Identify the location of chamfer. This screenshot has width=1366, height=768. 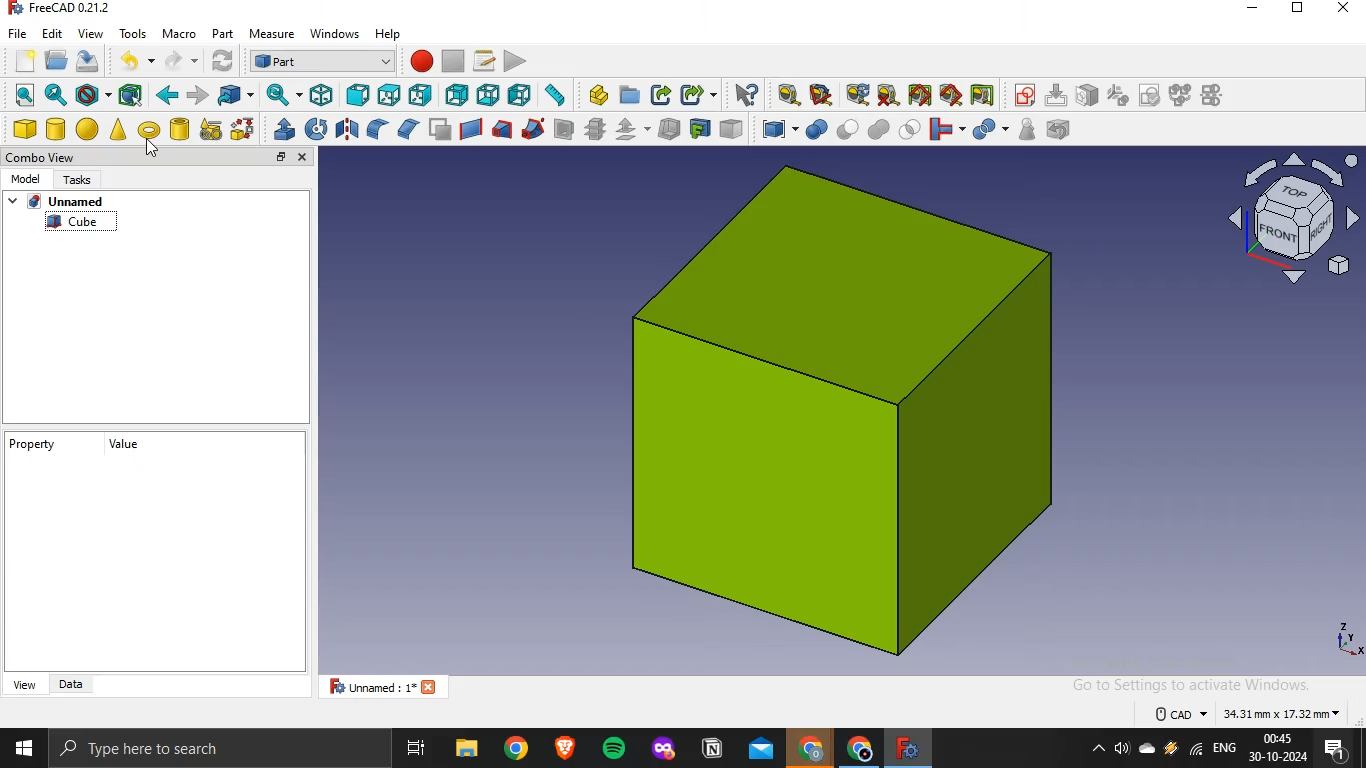
(406, 129).